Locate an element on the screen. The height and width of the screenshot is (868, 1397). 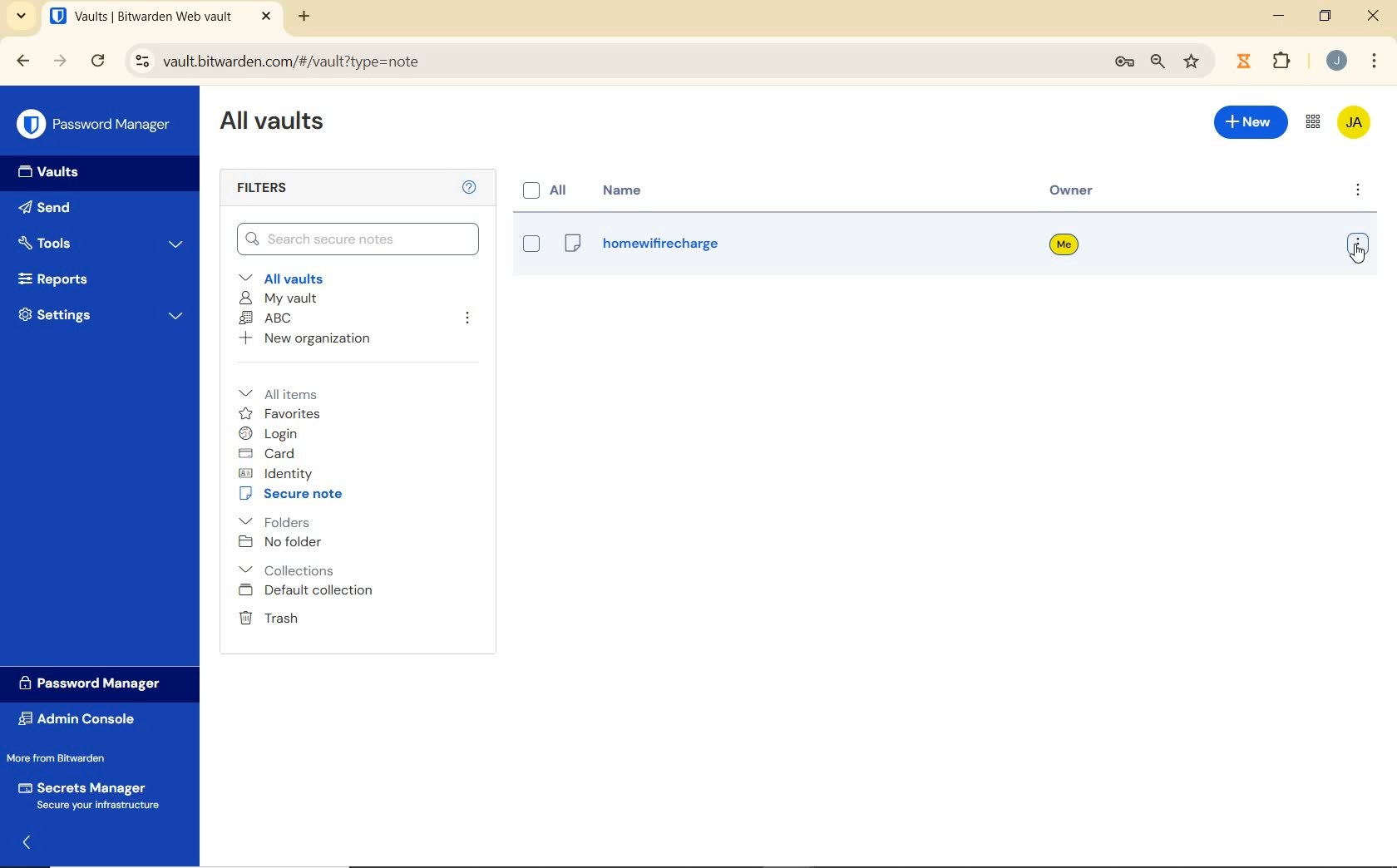
Admin Console is located at coordinates (86, 718).